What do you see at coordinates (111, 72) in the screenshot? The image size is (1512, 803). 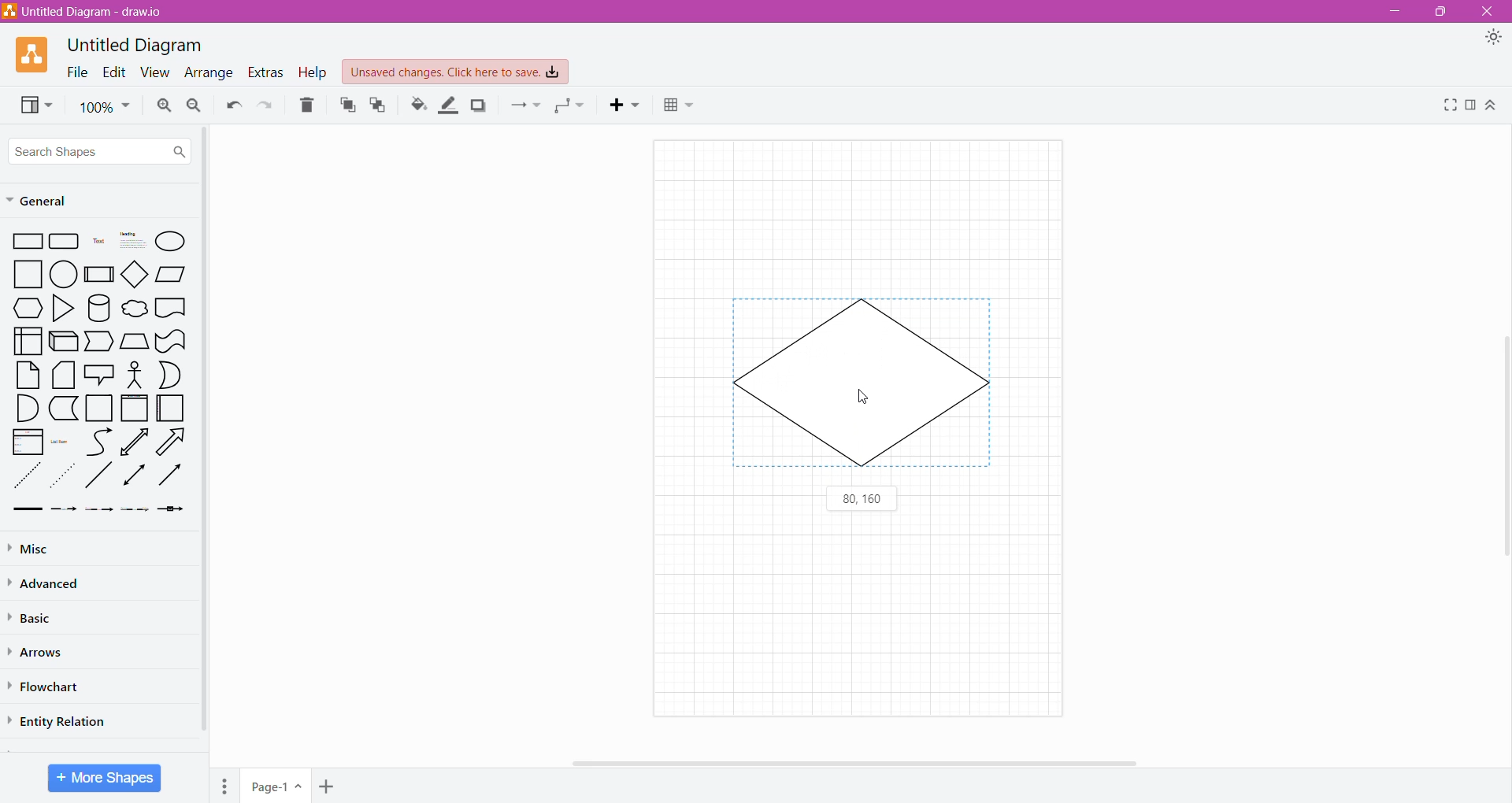 I see `Edit` at bounding box center [111, 72].